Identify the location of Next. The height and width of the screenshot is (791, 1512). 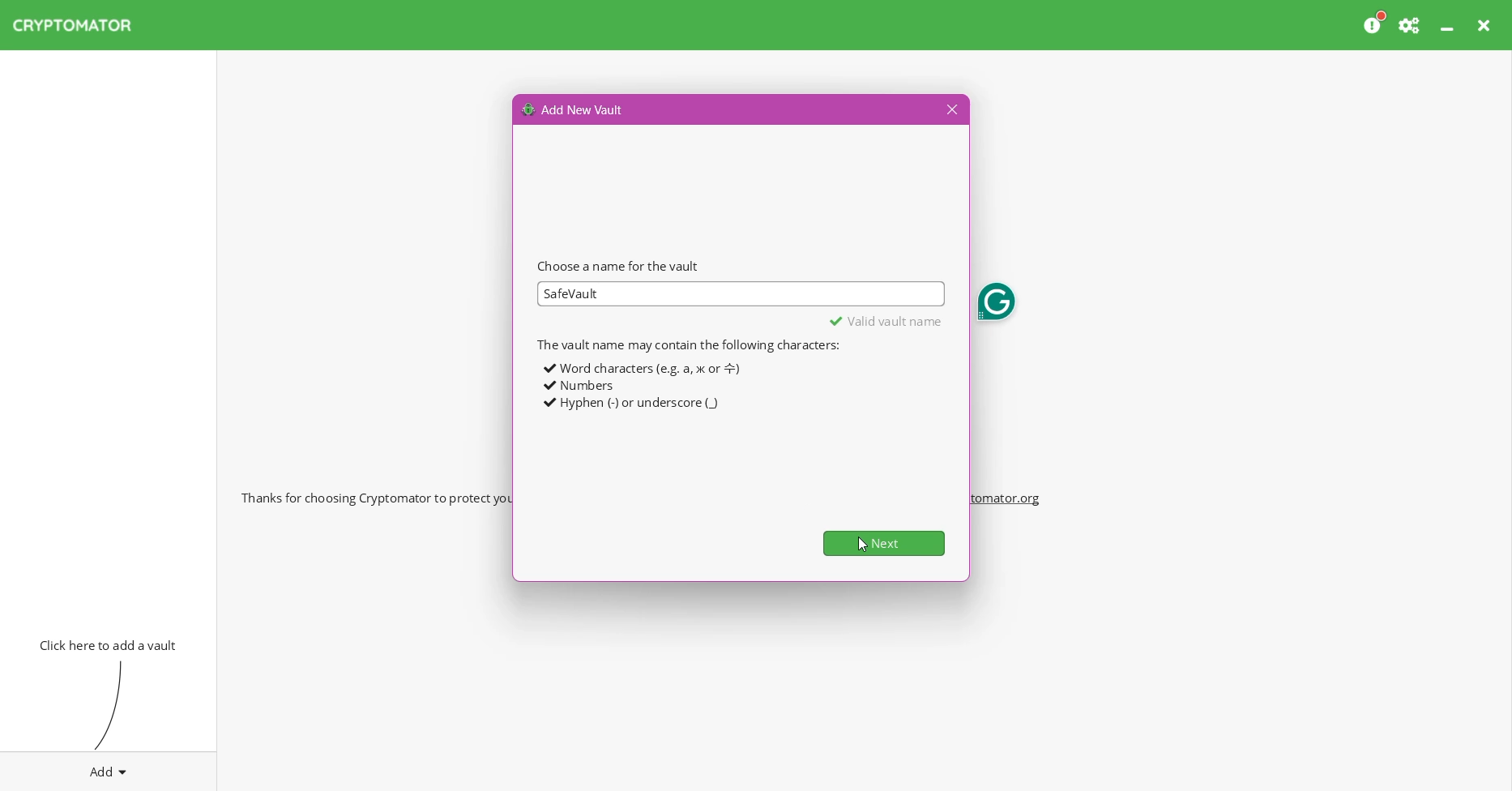
(885, 543).